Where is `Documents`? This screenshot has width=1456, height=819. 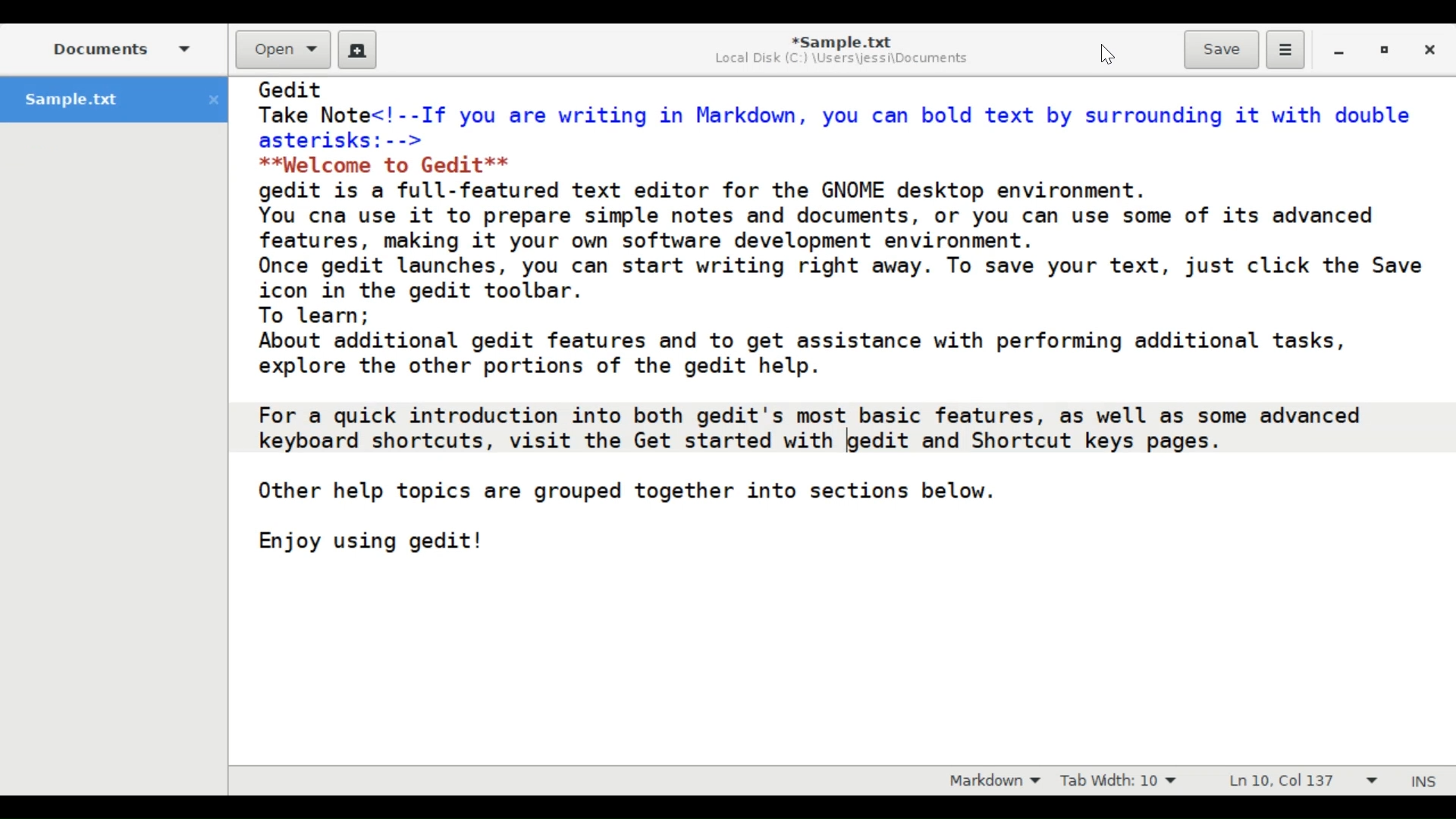 Documents is located at coordinates (125, 48).